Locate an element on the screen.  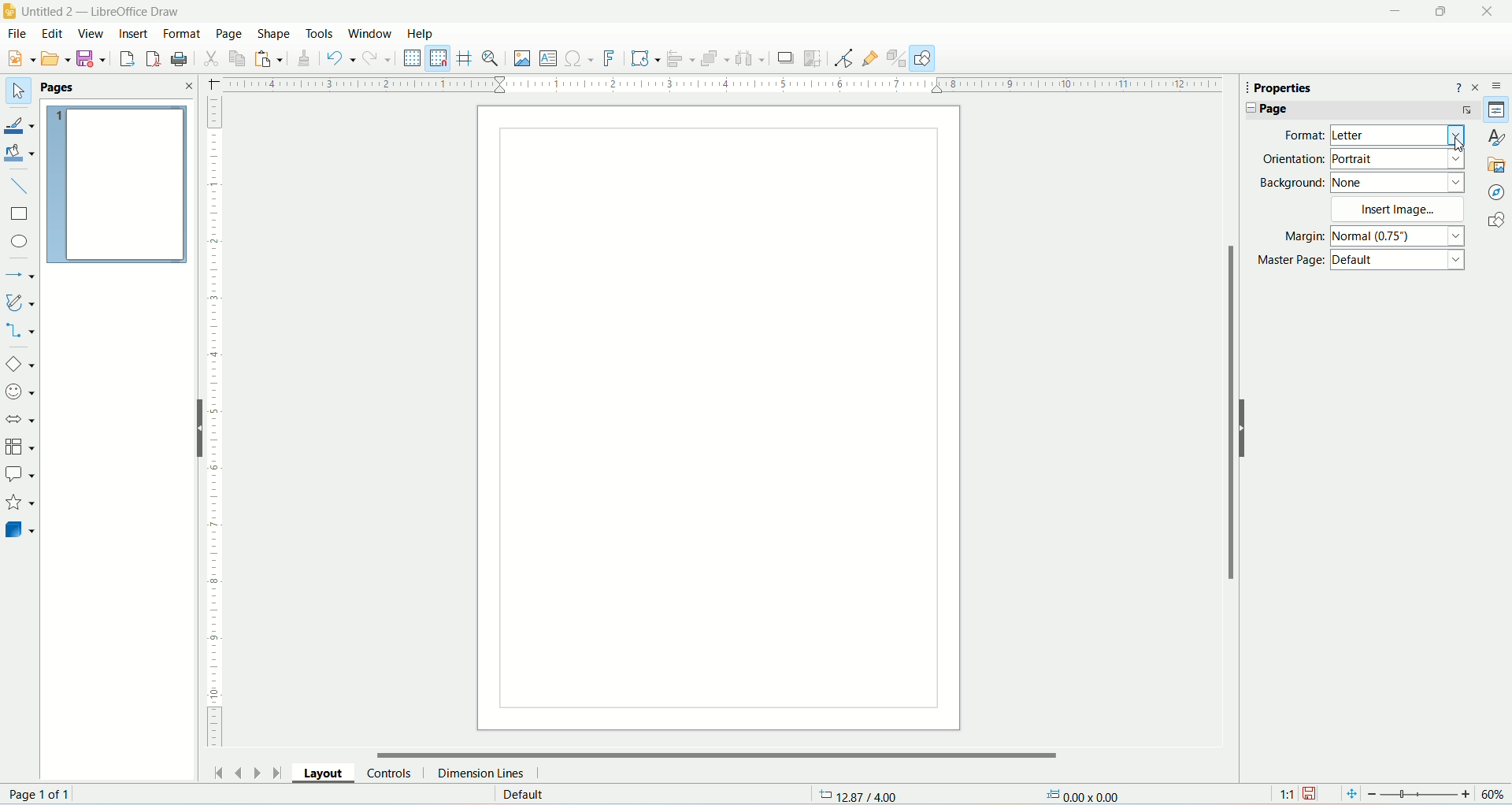
dimensions is located at coordinates (1097, 794).